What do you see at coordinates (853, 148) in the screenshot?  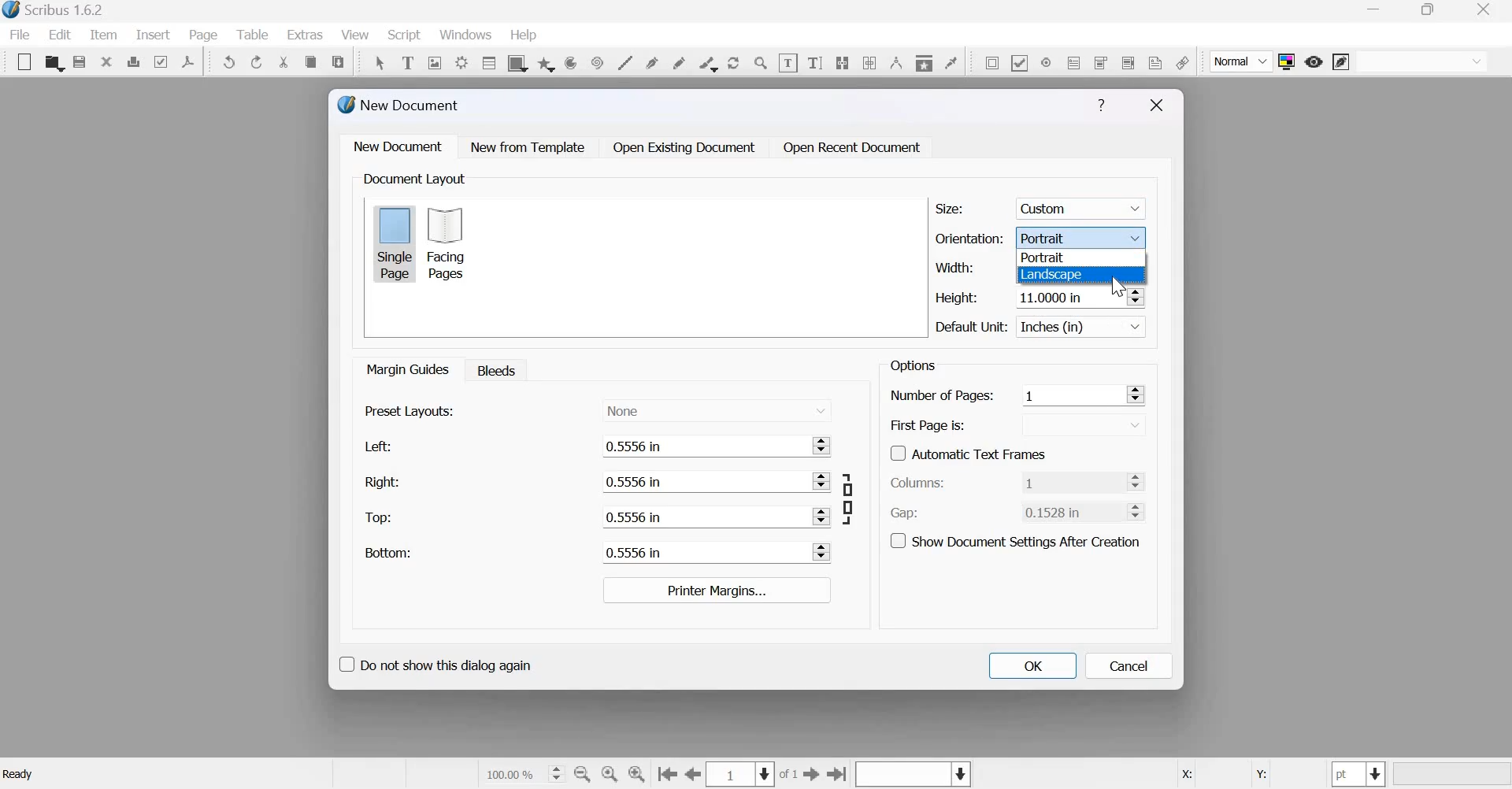 I see `Open Recent Document` at bounding box center [853, 148].